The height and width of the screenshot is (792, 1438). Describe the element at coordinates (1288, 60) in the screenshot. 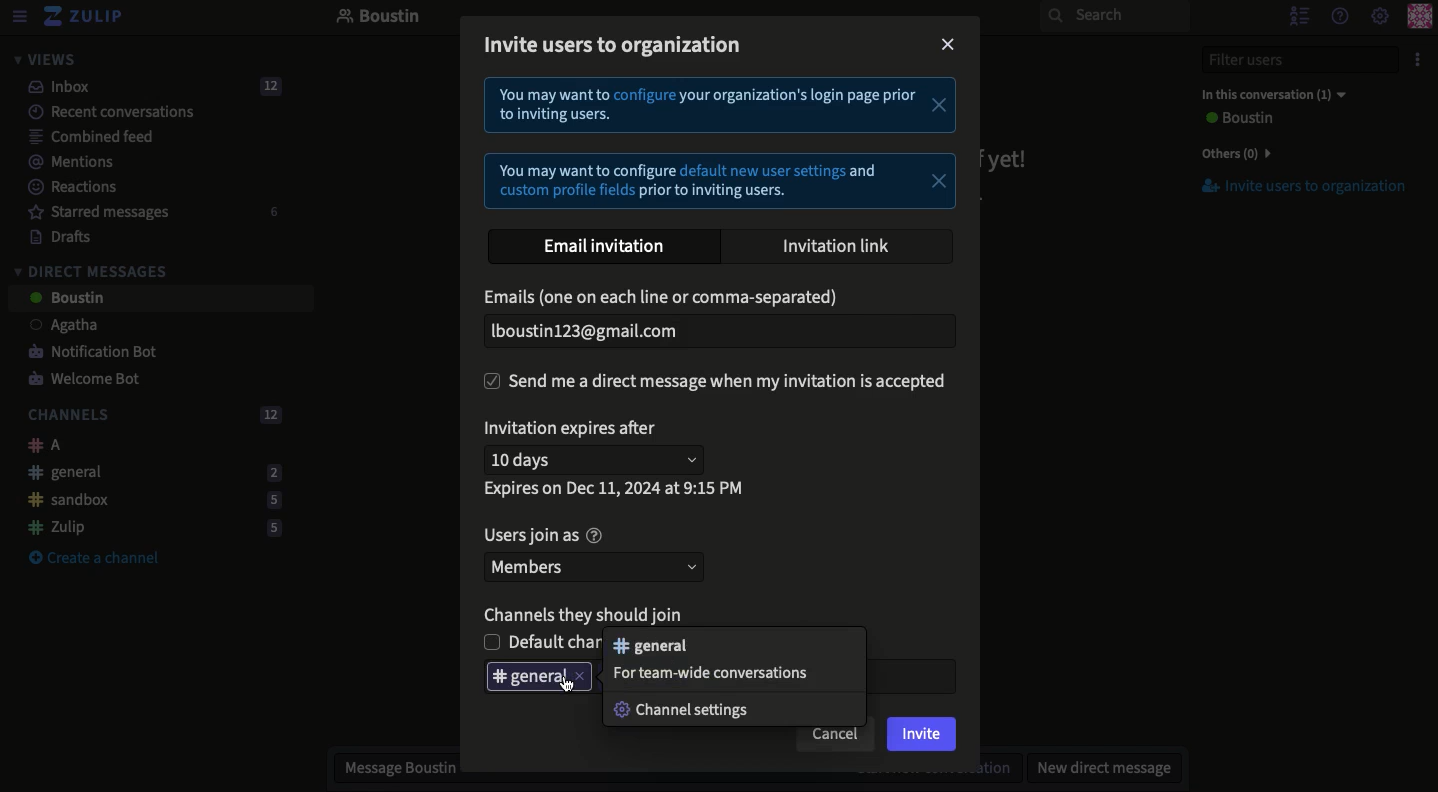

I see `Filter users` at that location.